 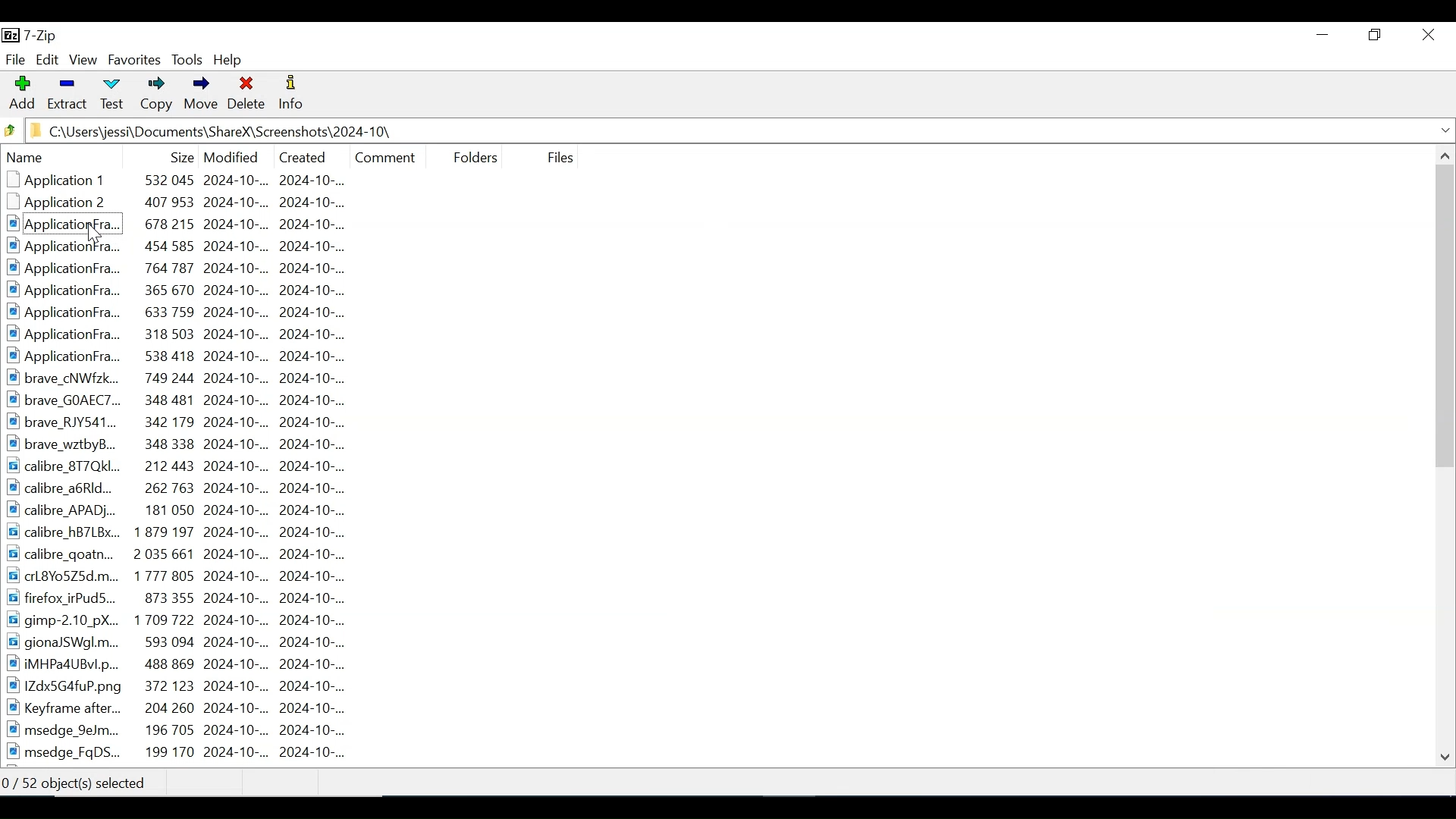 I want to click on C:\Users\jessi\Documents\ShareX\Screenshots\2024-10\, so click(x=224, y=131).